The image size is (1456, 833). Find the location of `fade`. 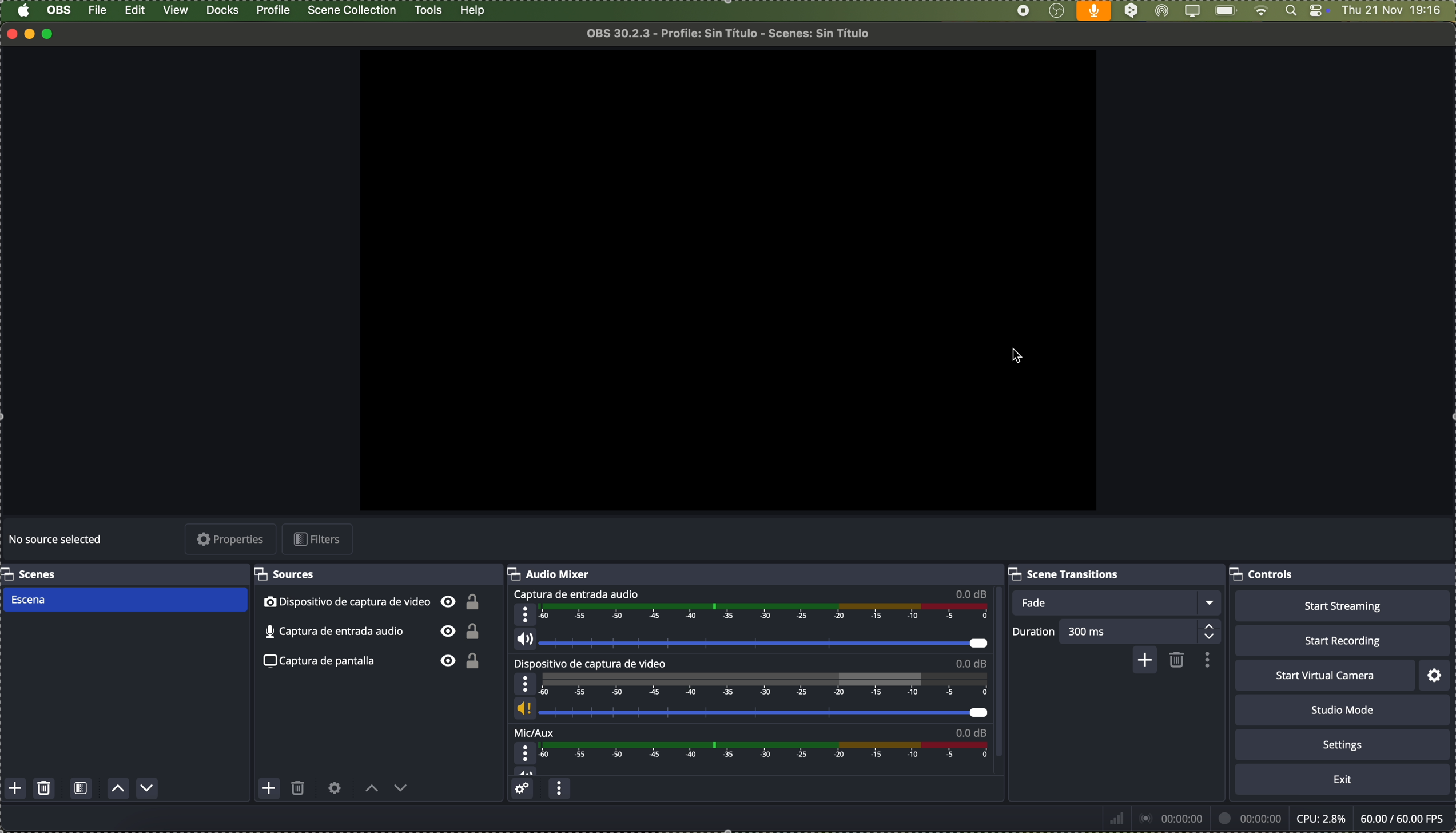

fade is located at coordinates (1117, 603).